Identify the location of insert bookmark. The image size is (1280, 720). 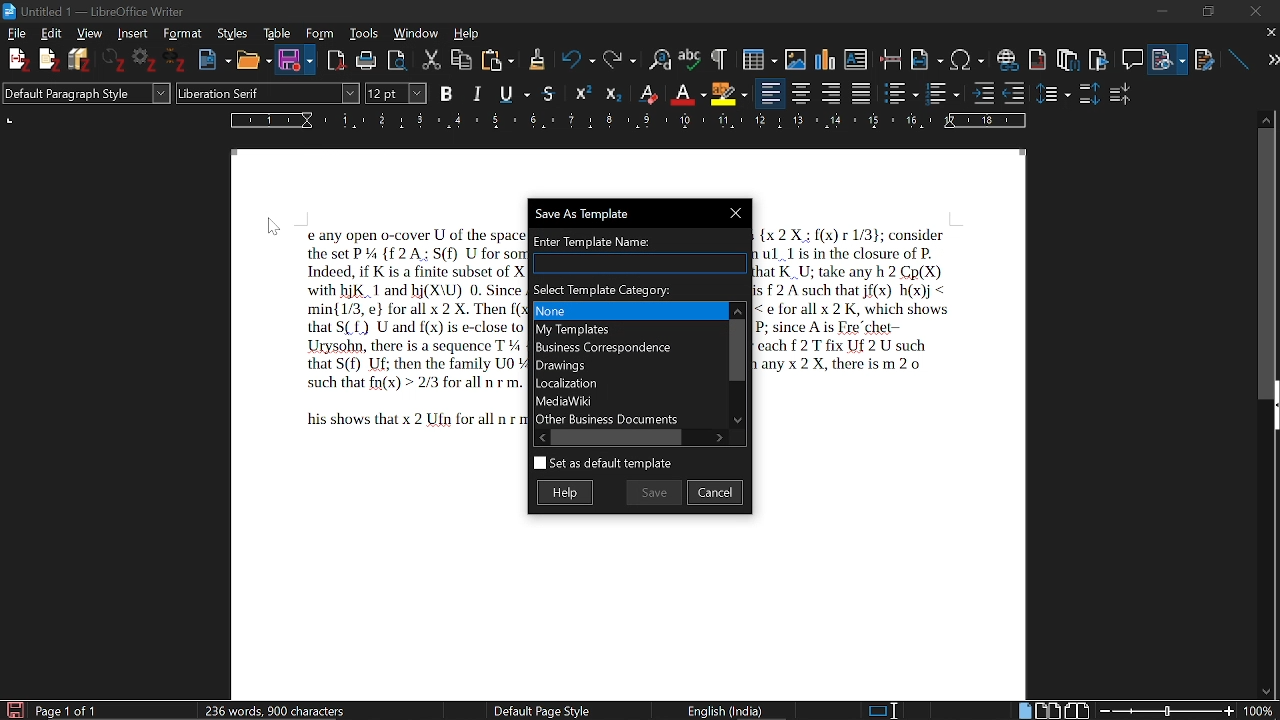
(1100, 57).